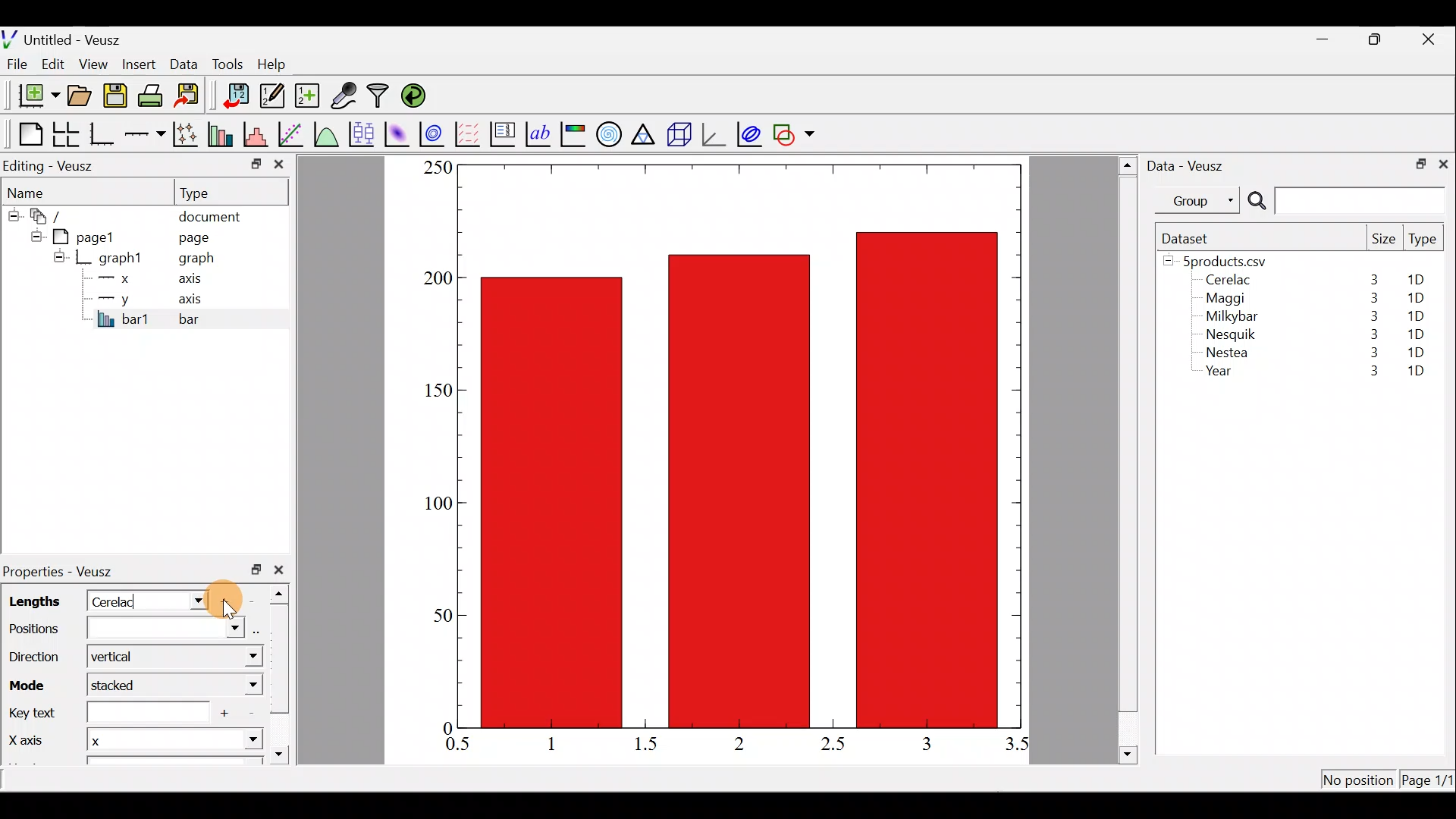 This screenshot has height=819, width=1456. What do you see at coordinates (736, 742) in the screenshot?
I see `2` at bounding box center [736, 742].